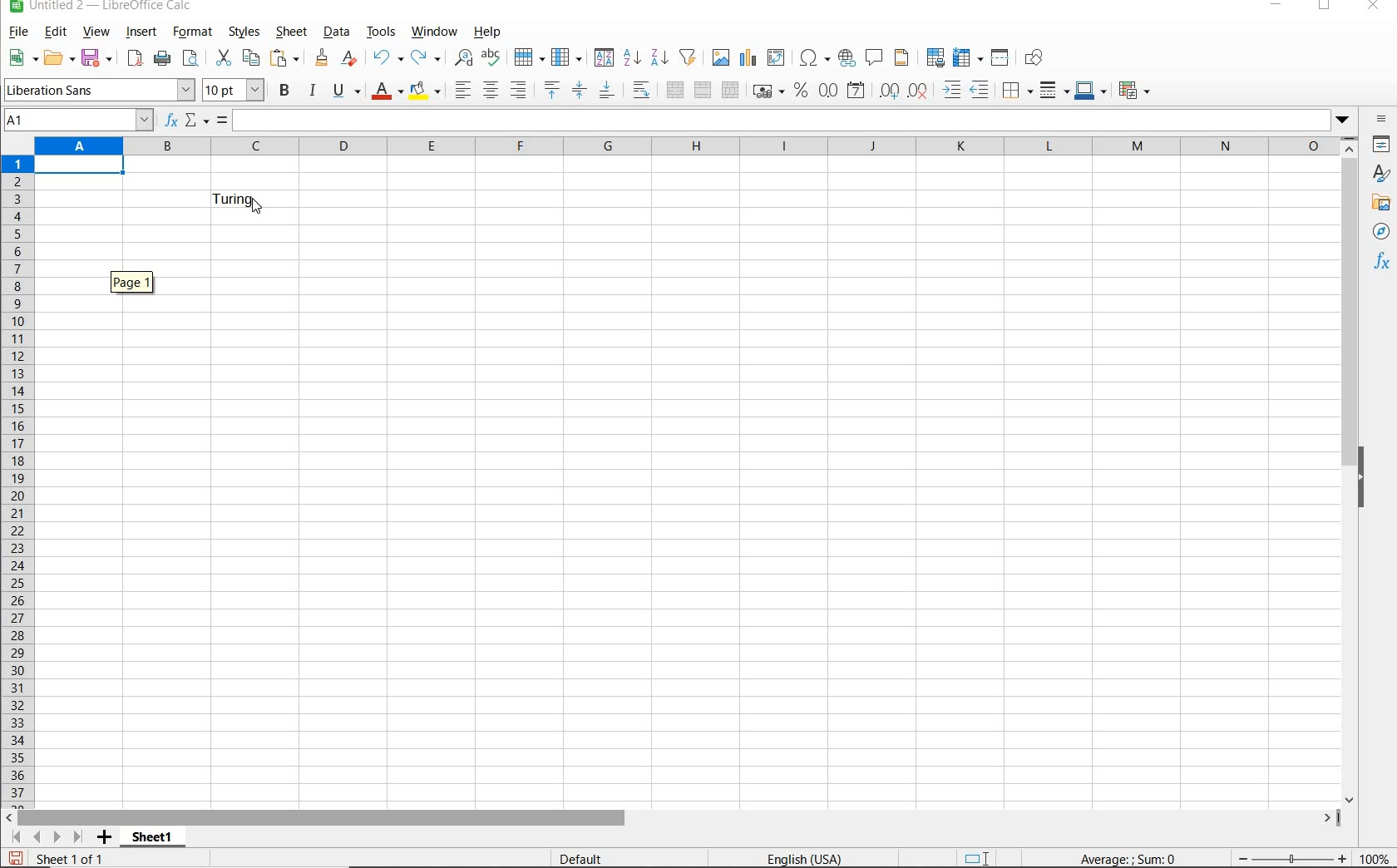 The height and width of the screenshot is (868, 1397). Describe the element at coordinates (949, 90) in the screenshot. I see `INCREASE INDENT` at that location.